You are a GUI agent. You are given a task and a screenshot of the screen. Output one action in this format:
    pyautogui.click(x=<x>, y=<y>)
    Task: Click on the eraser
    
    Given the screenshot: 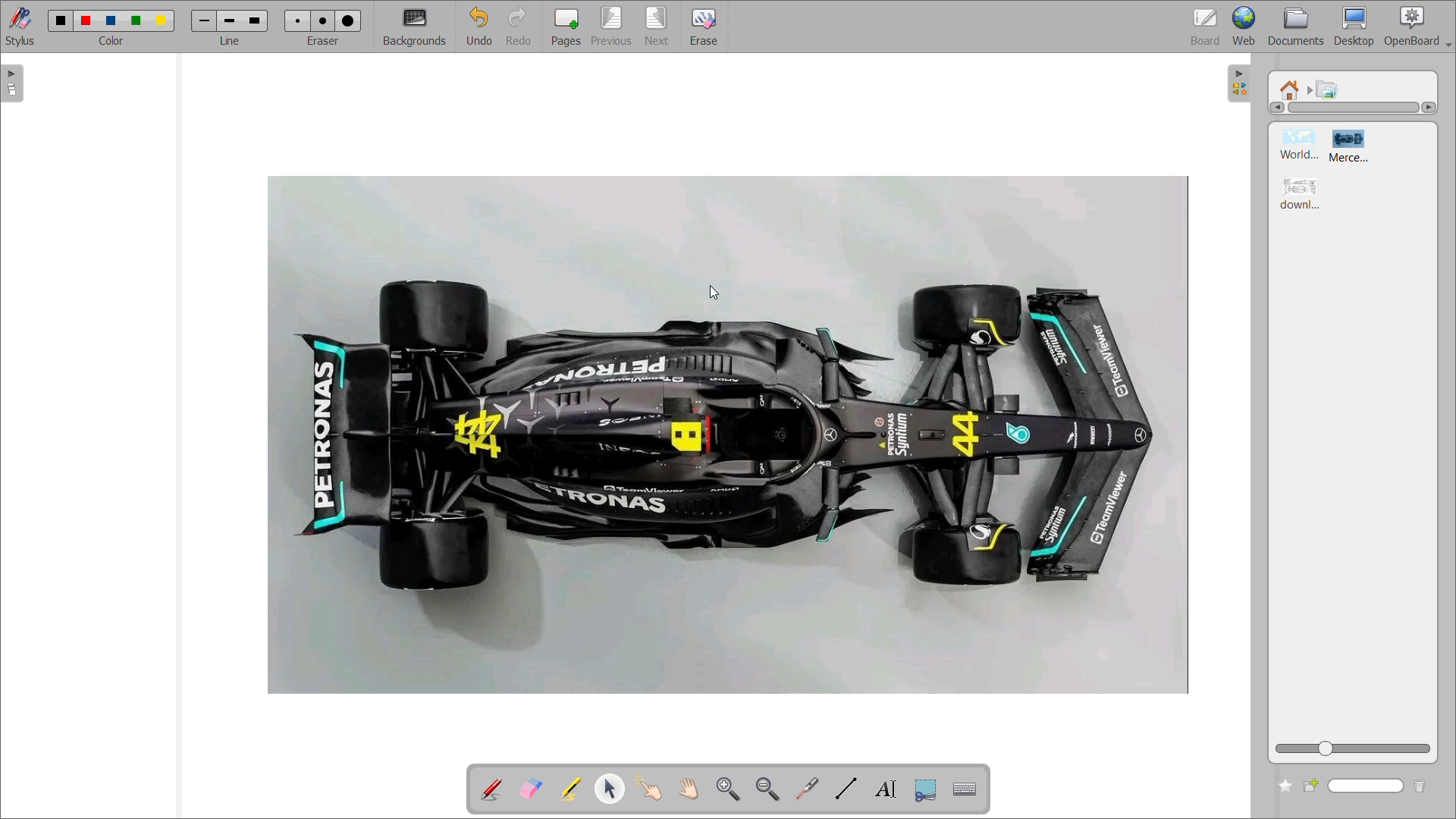 What is the action you would take?
    pyautogui.click(x=322, y=45)
    